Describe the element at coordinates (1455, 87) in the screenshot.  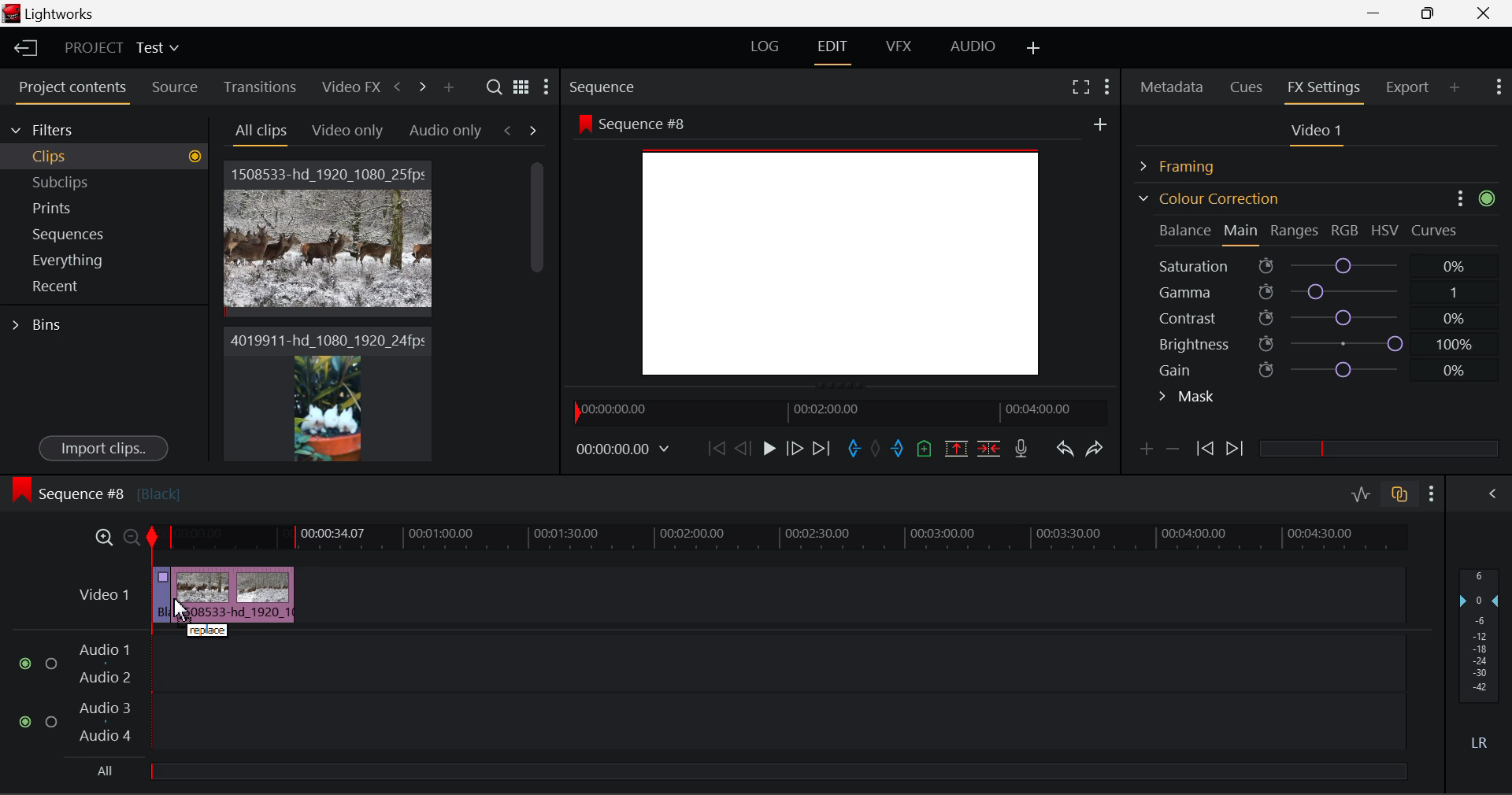
I see `Add Panel` at that location.